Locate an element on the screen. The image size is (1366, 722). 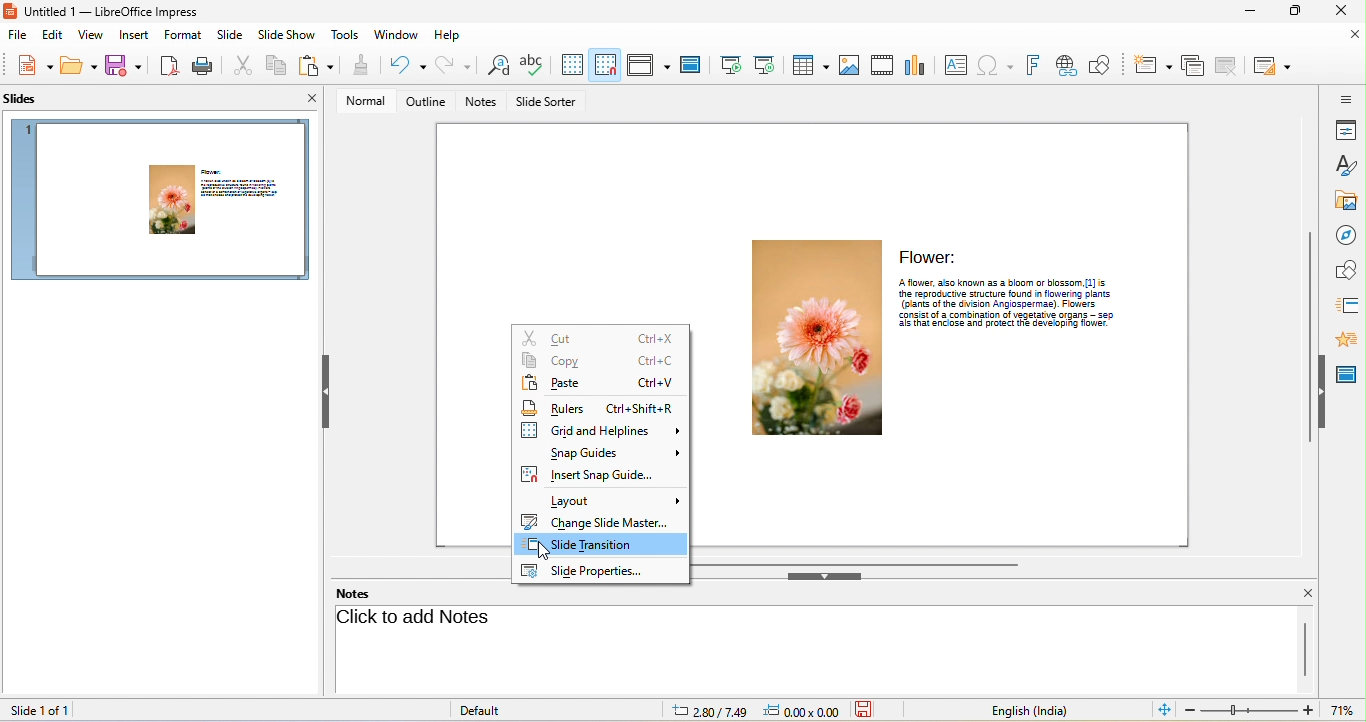
find and replace is located at coordinates (495, 66).